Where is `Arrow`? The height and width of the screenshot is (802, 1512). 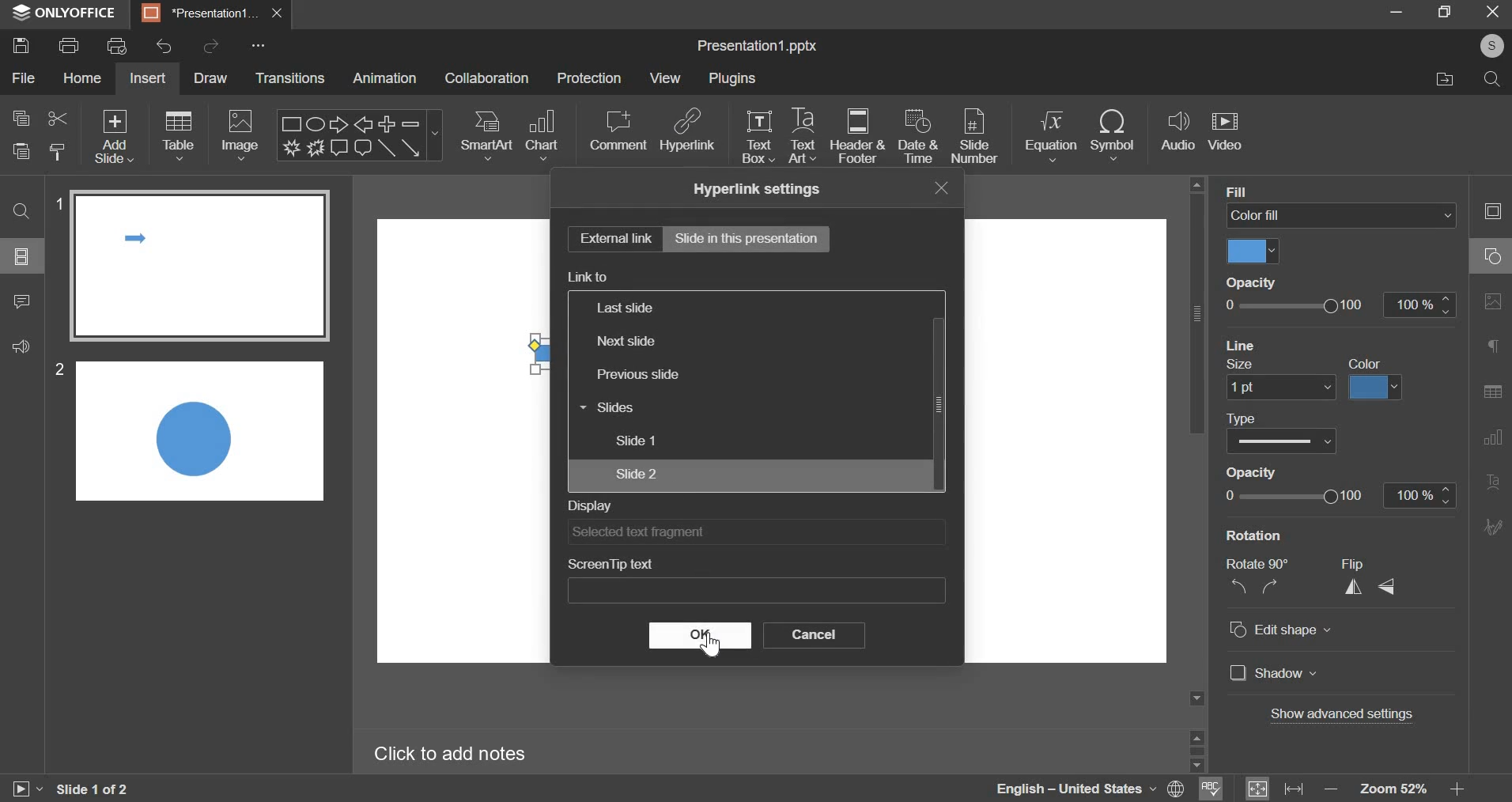 Arrow is located at coordinates (411, 147).